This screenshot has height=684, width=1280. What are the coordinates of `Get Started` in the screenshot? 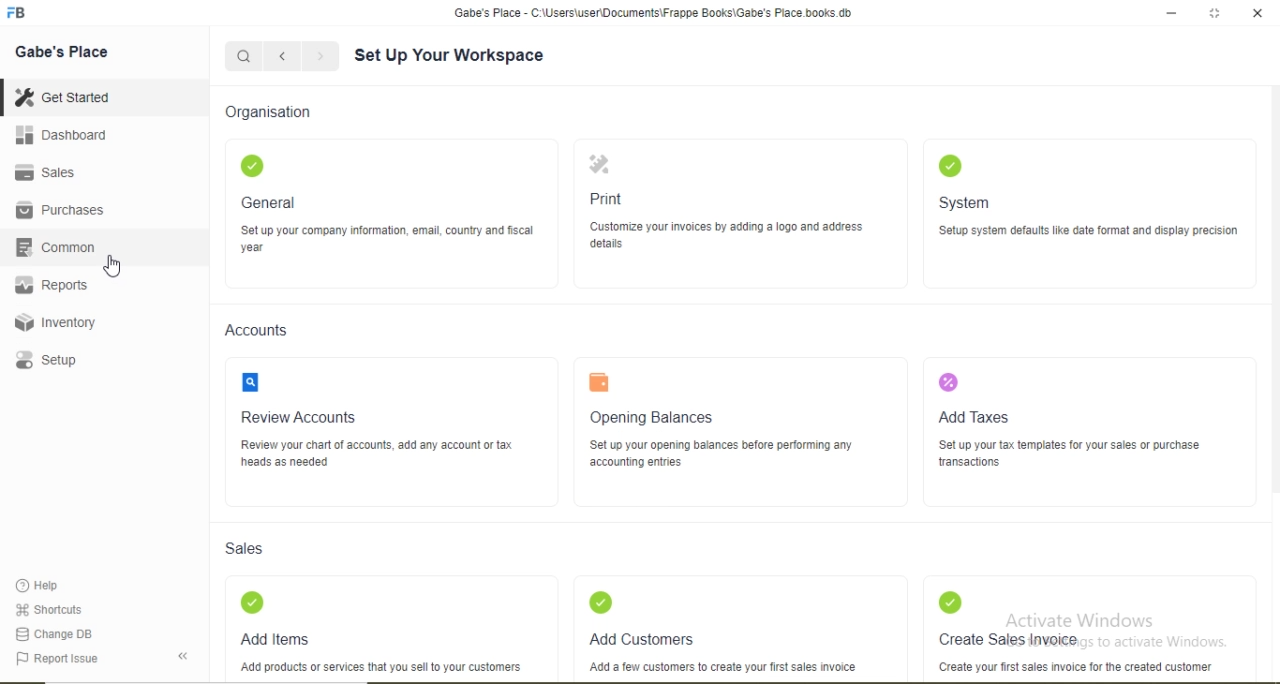 It's located at (61, 96).